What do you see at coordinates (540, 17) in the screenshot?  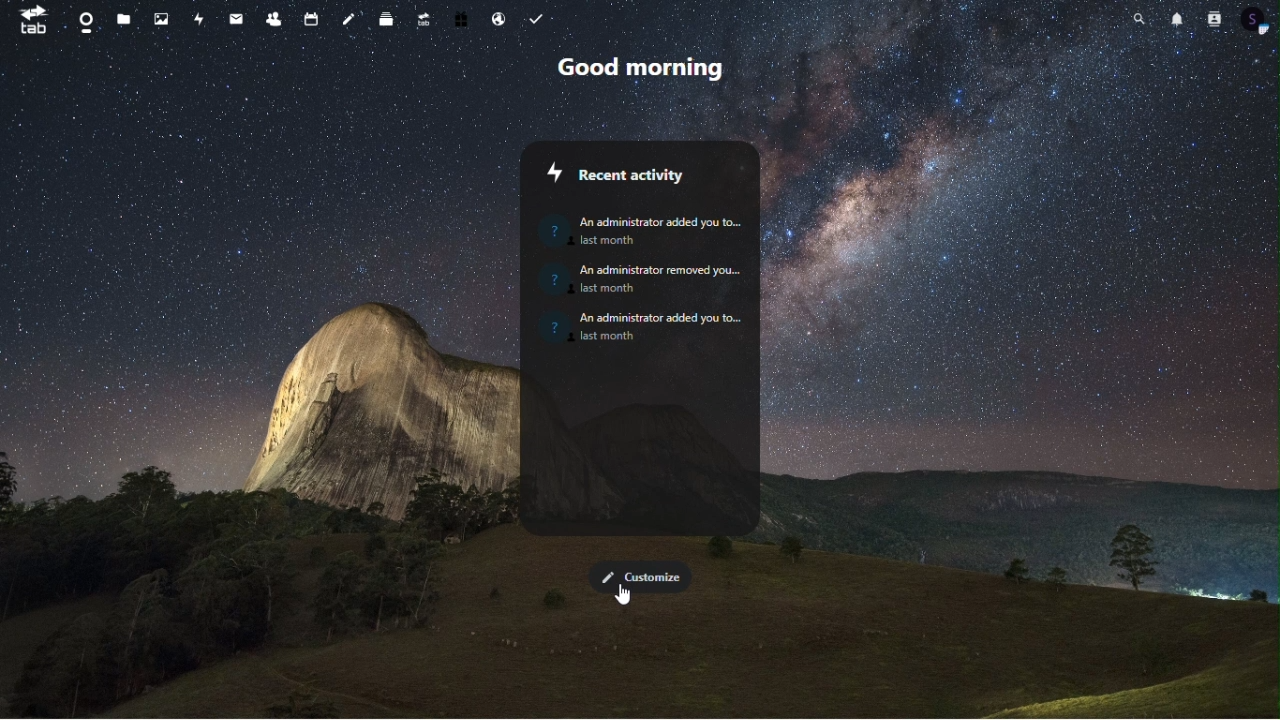 I see `tasks` at bounding box center [540, 17].